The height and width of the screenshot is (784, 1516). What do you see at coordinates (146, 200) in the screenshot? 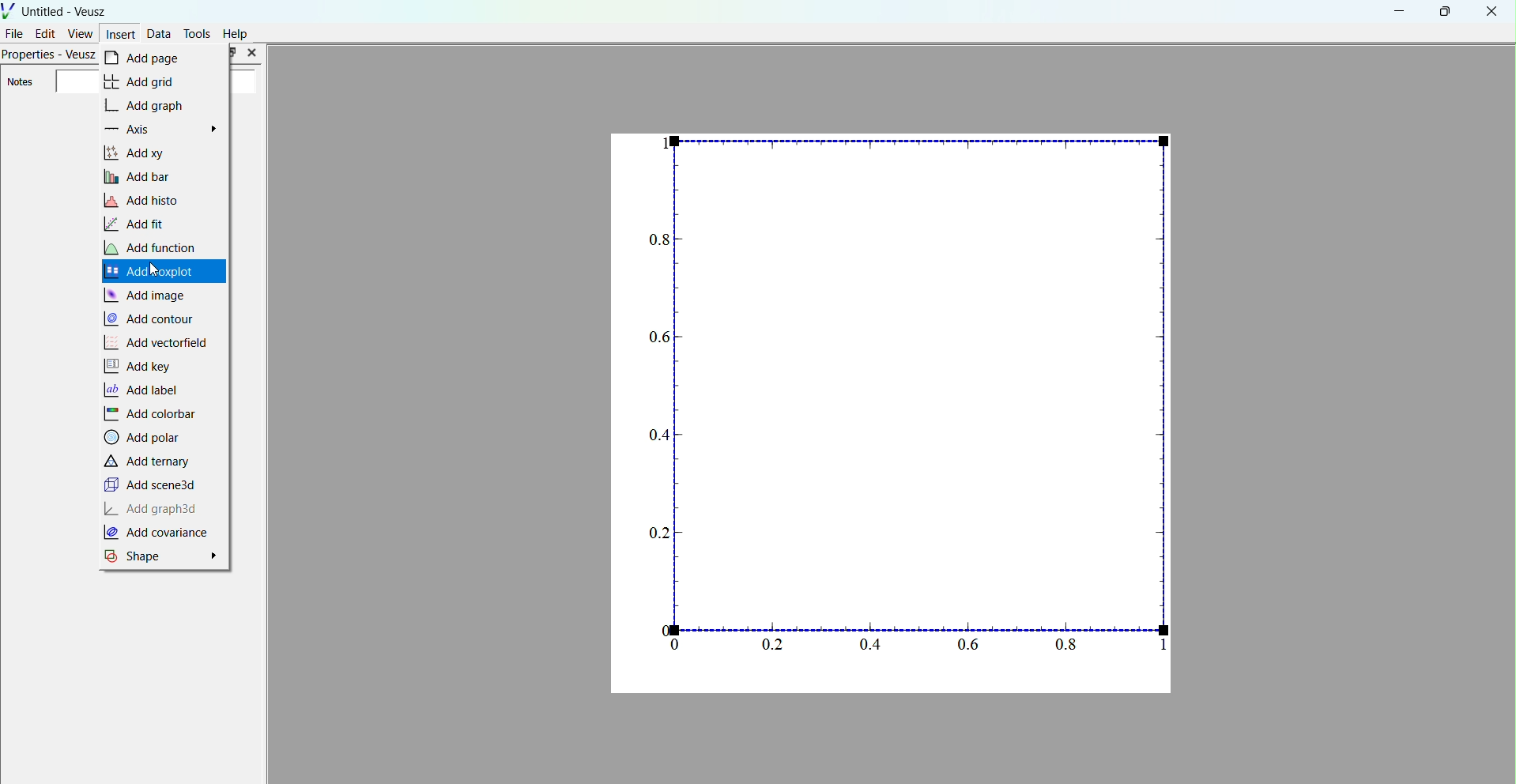
I see `Add histo` at bounding box center [146, 200].